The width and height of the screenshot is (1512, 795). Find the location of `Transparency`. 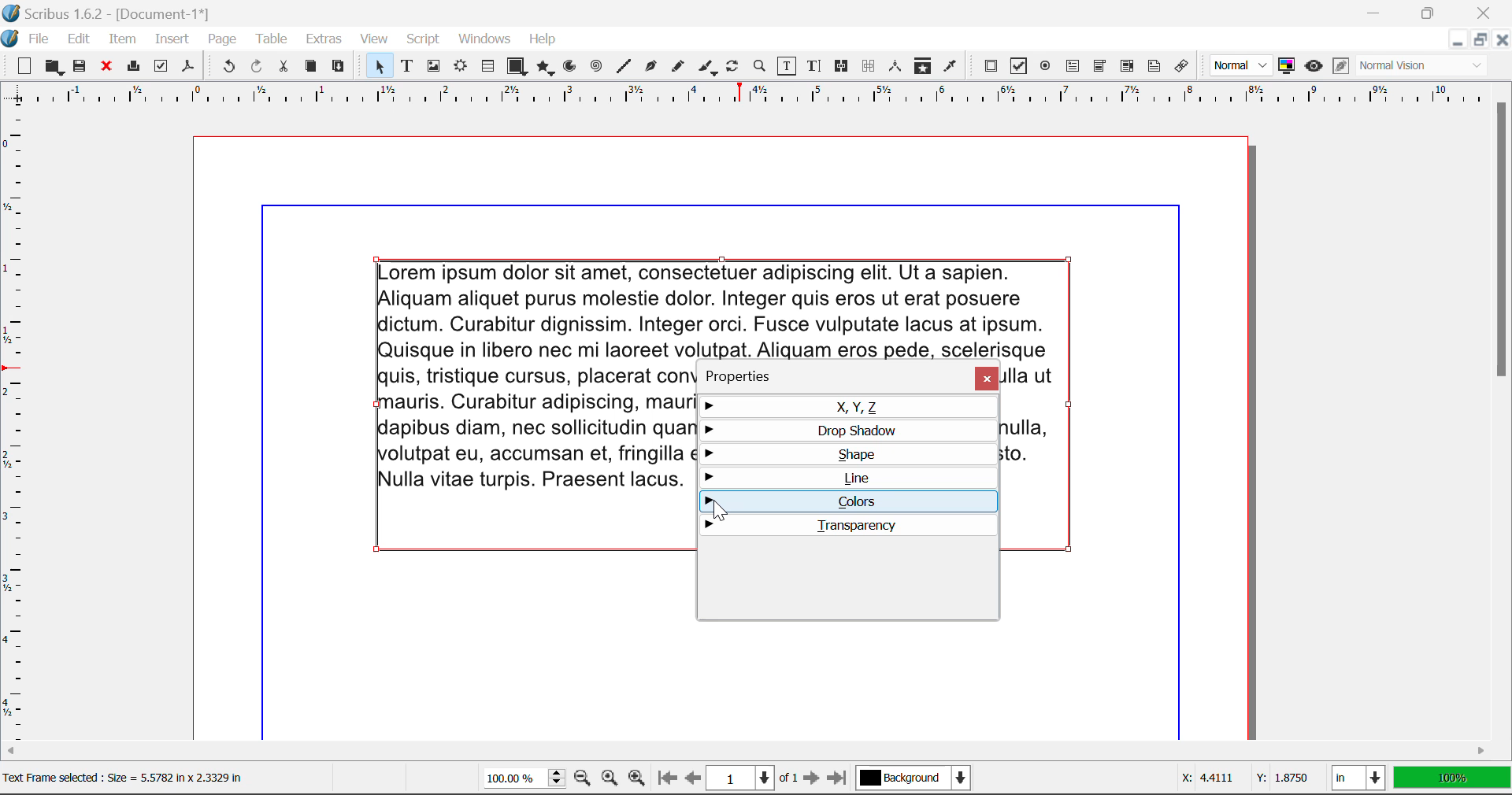

Transparency is located at coordinates (846, 525).